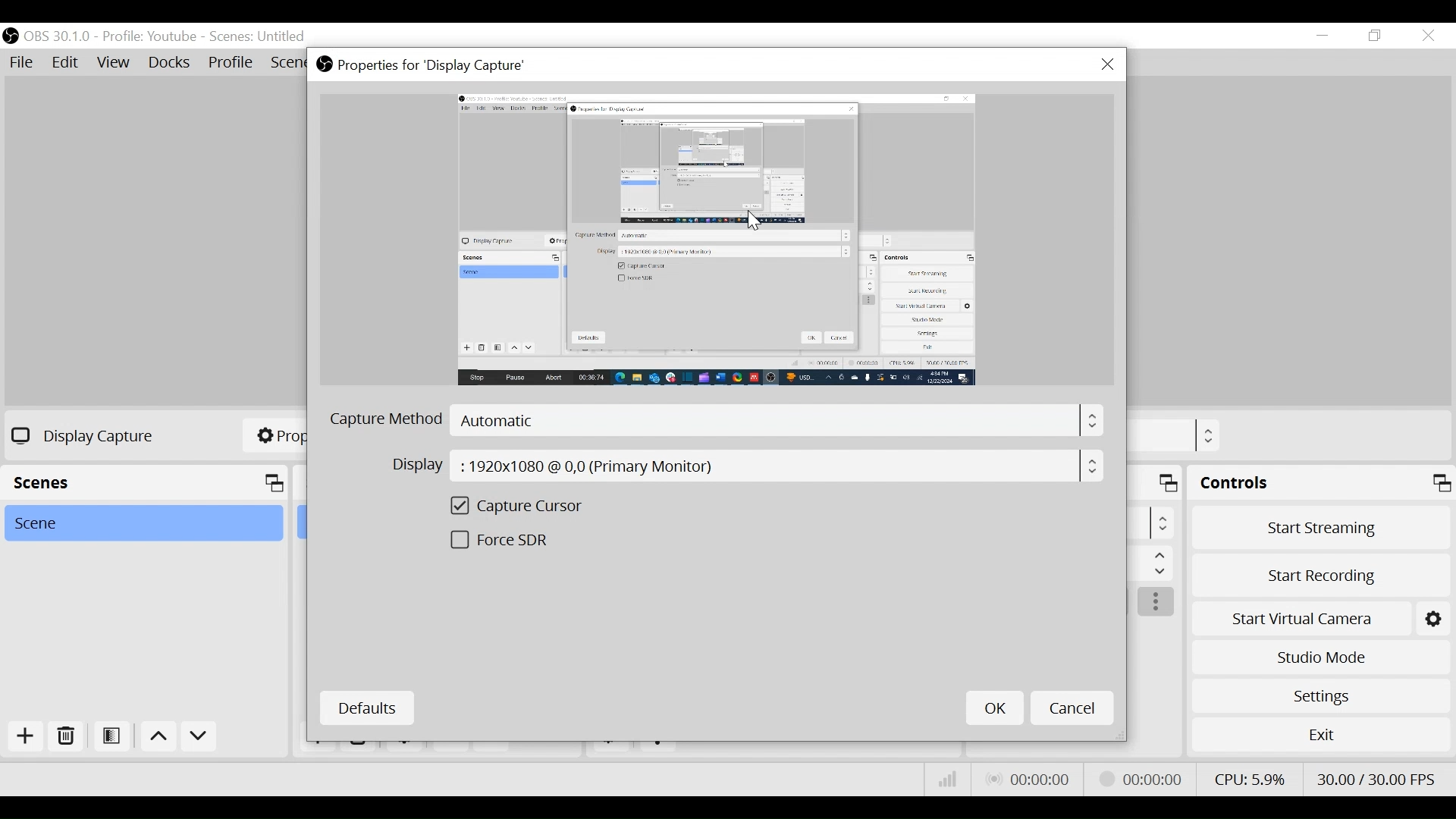 The image size is (1456, 819). I want to click on Studio Mode, so click(1320, 658).